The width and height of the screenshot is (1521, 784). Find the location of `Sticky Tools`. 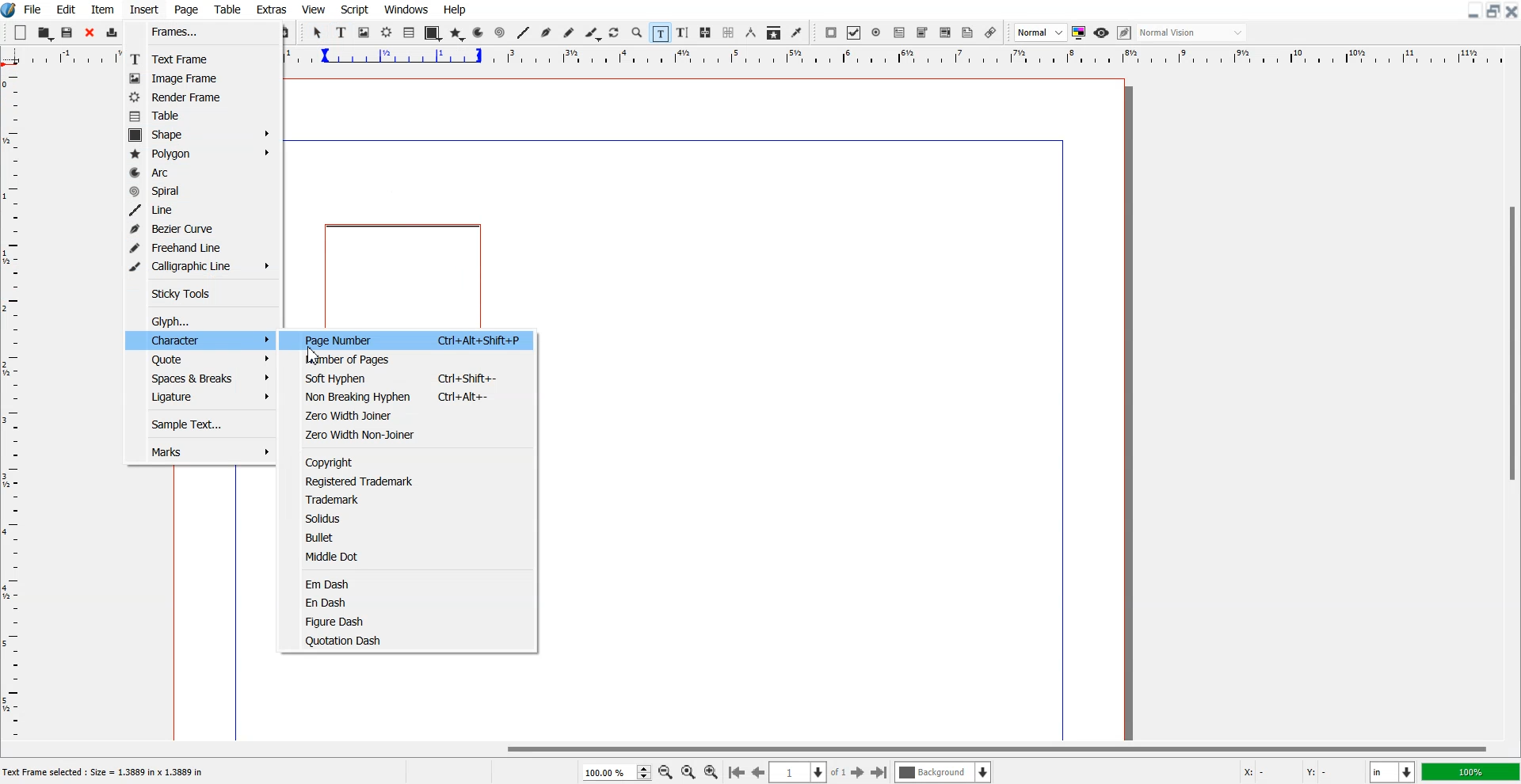

Sticky Tools is located at coordinates (201, 293).